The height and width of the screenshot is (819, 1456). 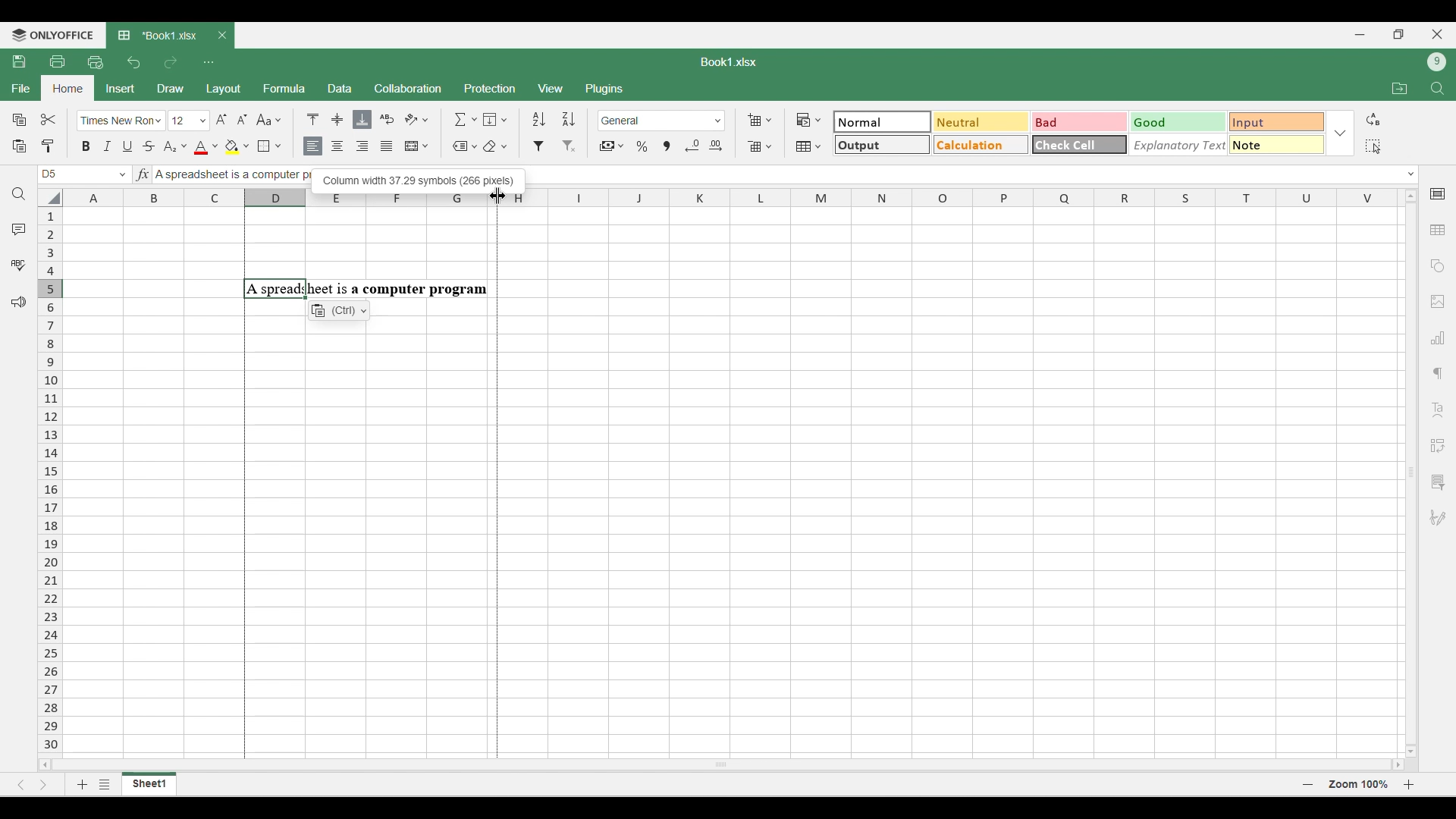 I want to click on Clear options, so click(x=494, y=146).